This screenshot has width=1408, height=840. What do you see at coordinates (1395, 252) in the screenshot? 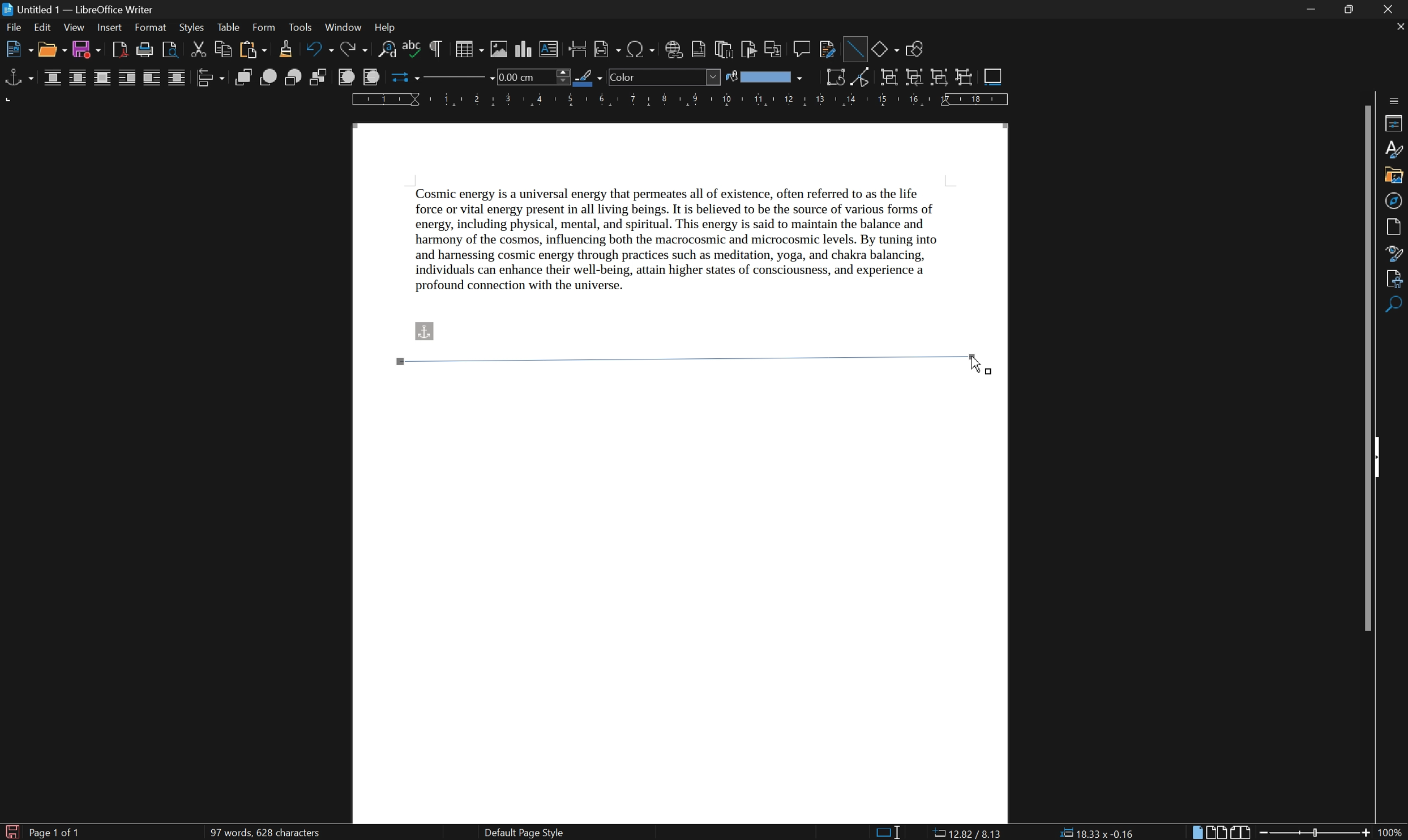
I see `style inspector` at bounding box center [1395, 252].